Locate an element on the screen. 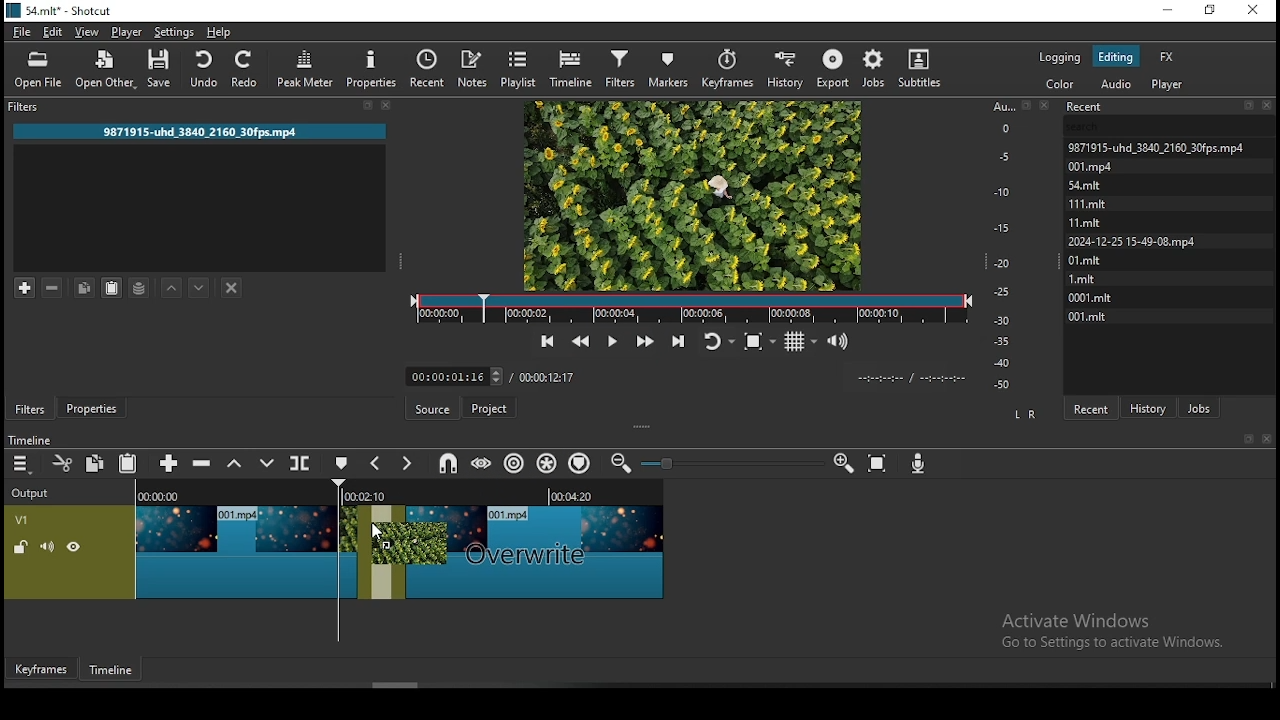  play quickly forwards is located at coordinates (642, 339).